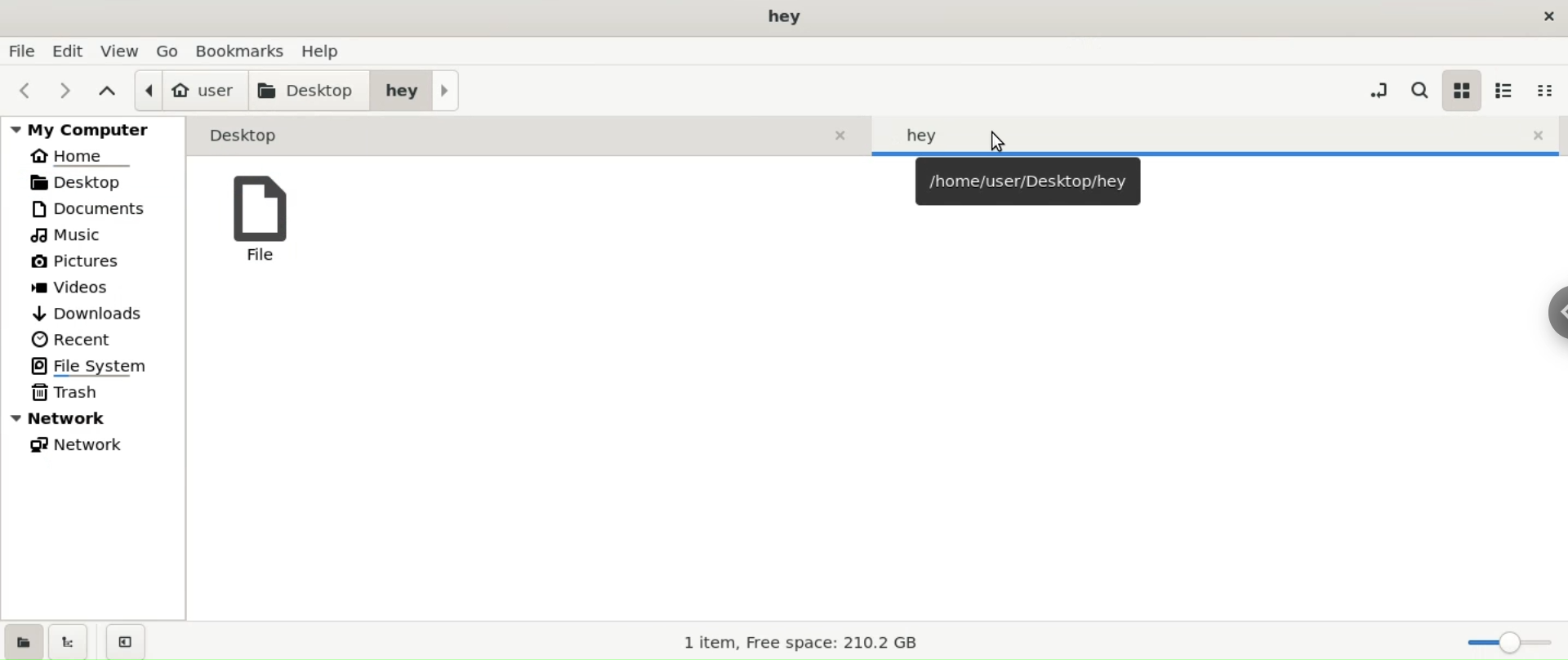  Describe the element at coordinates (67, 90) in the screenshot. I see `next` at that location.